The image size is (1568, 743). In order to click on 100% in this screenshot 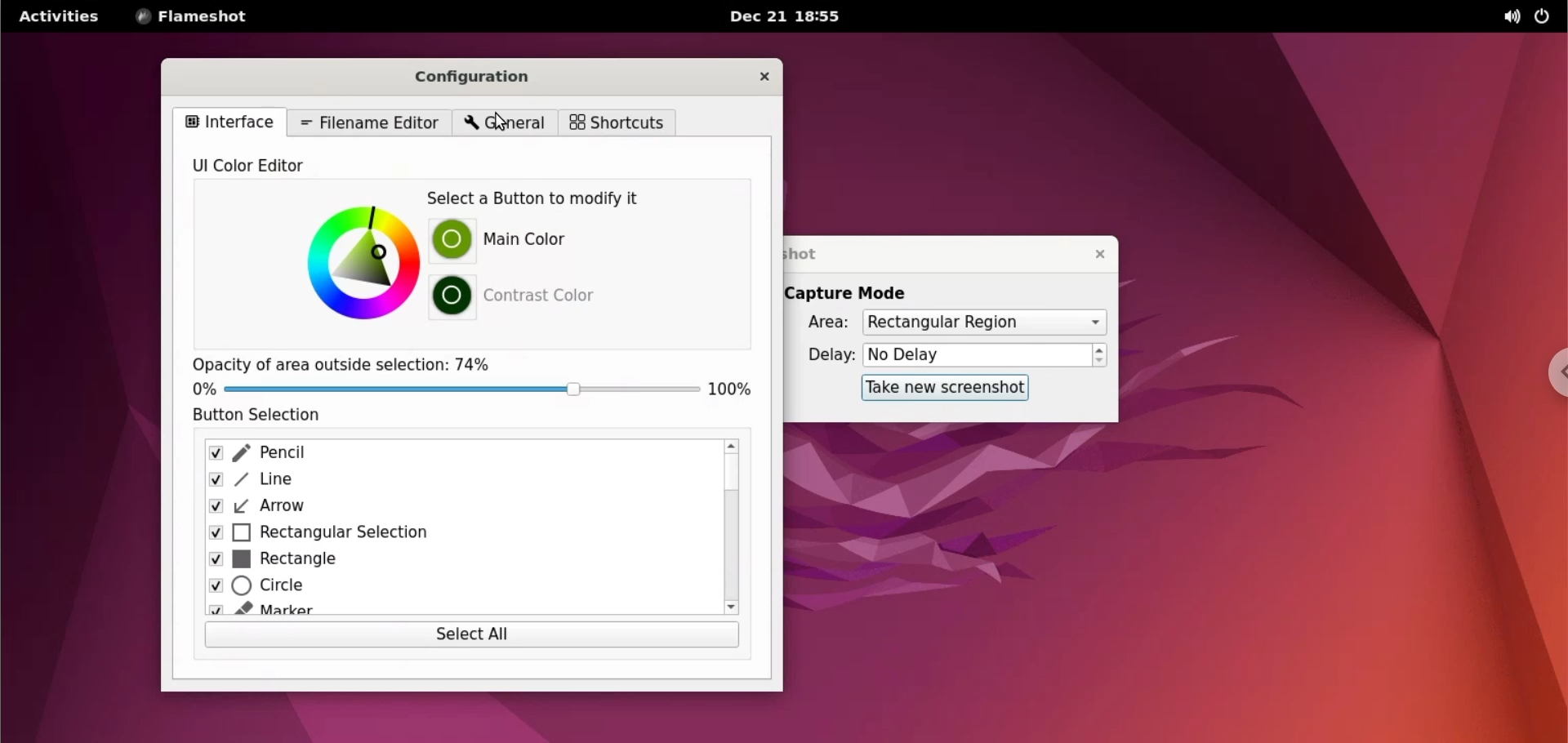, I will do `click(737, 389)`.